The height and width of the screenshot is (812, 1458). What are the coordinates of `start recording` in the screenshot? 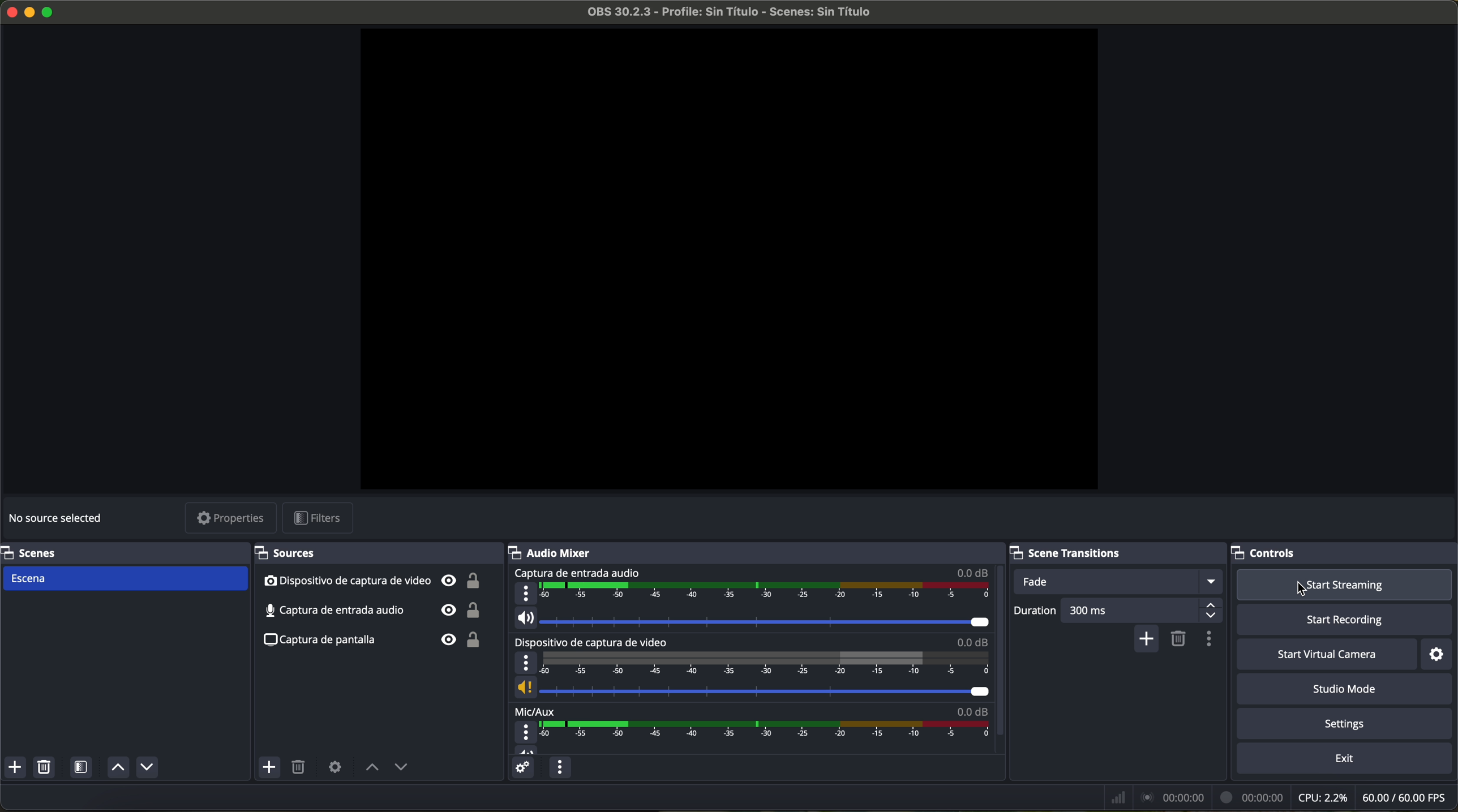 It's located at (1346, 621).